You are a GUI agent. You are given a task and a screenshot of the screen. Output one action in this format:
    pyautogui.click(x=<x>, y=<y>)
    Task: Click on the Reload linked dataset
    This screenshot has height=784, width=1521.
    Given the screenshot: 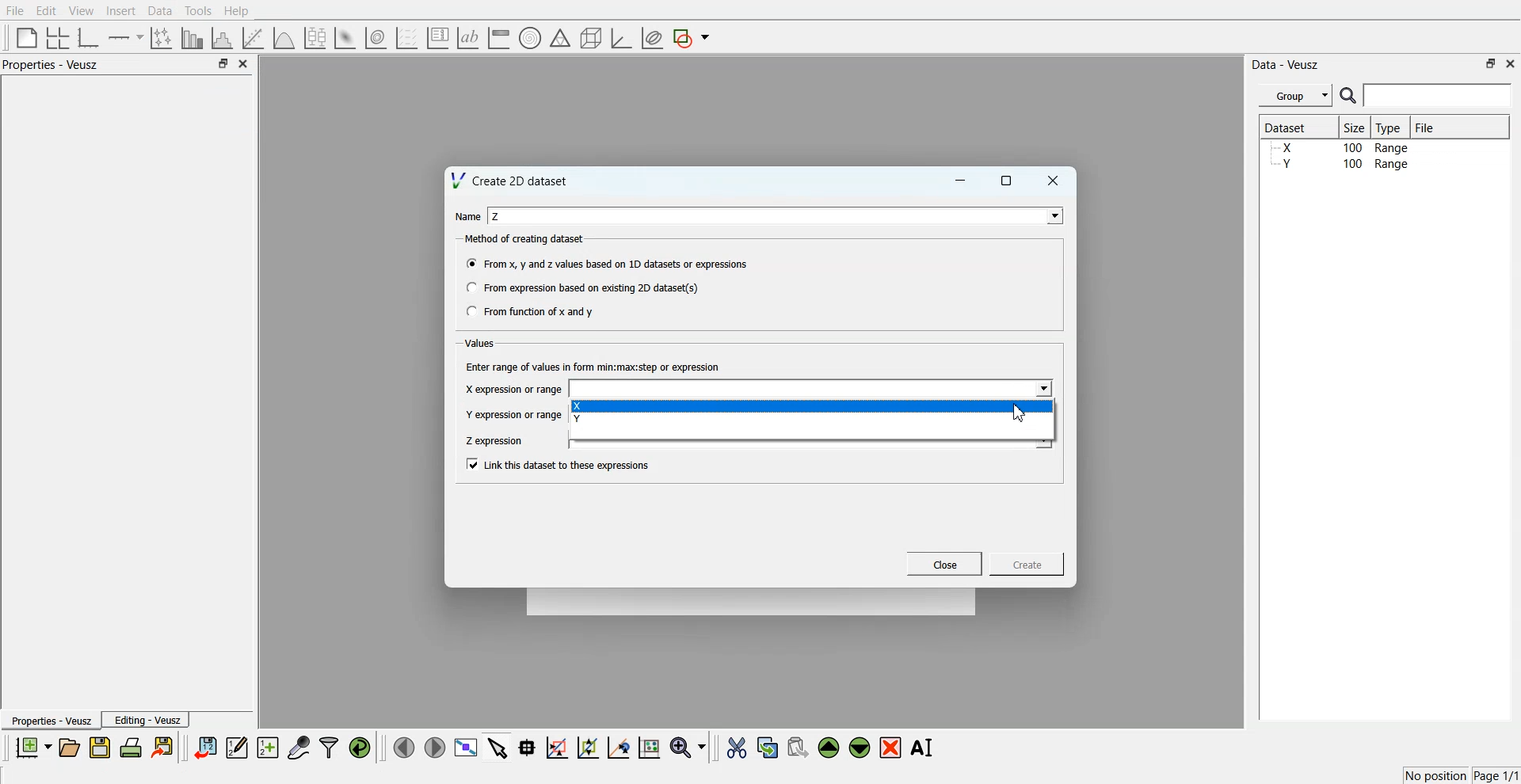 What is the action you would take?
    pyautogui.click(x=360, y=748)
    